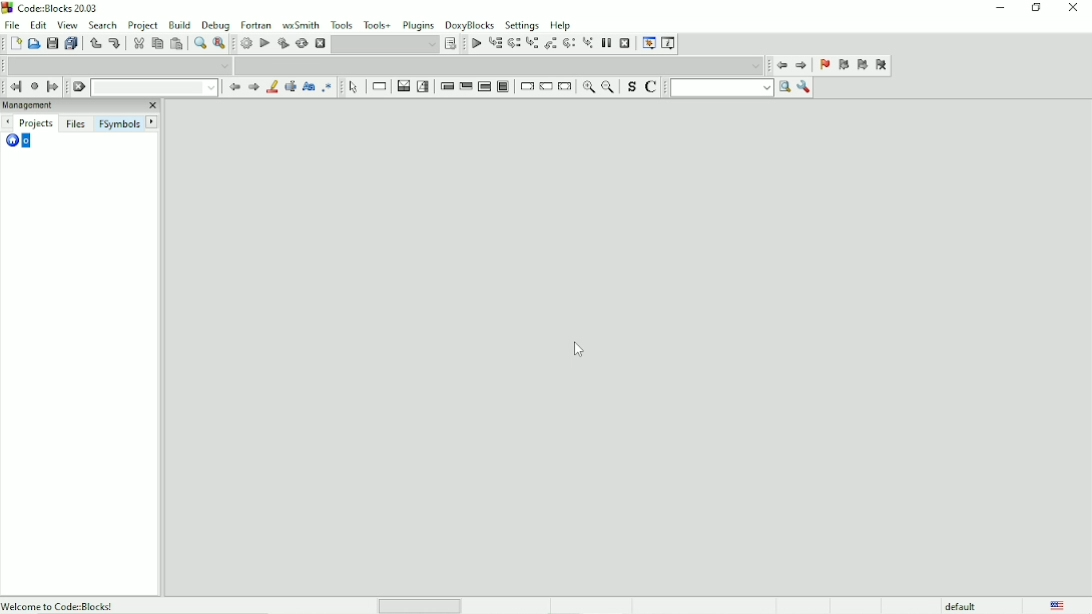  I want to click on Last jump, so click(34, 86).